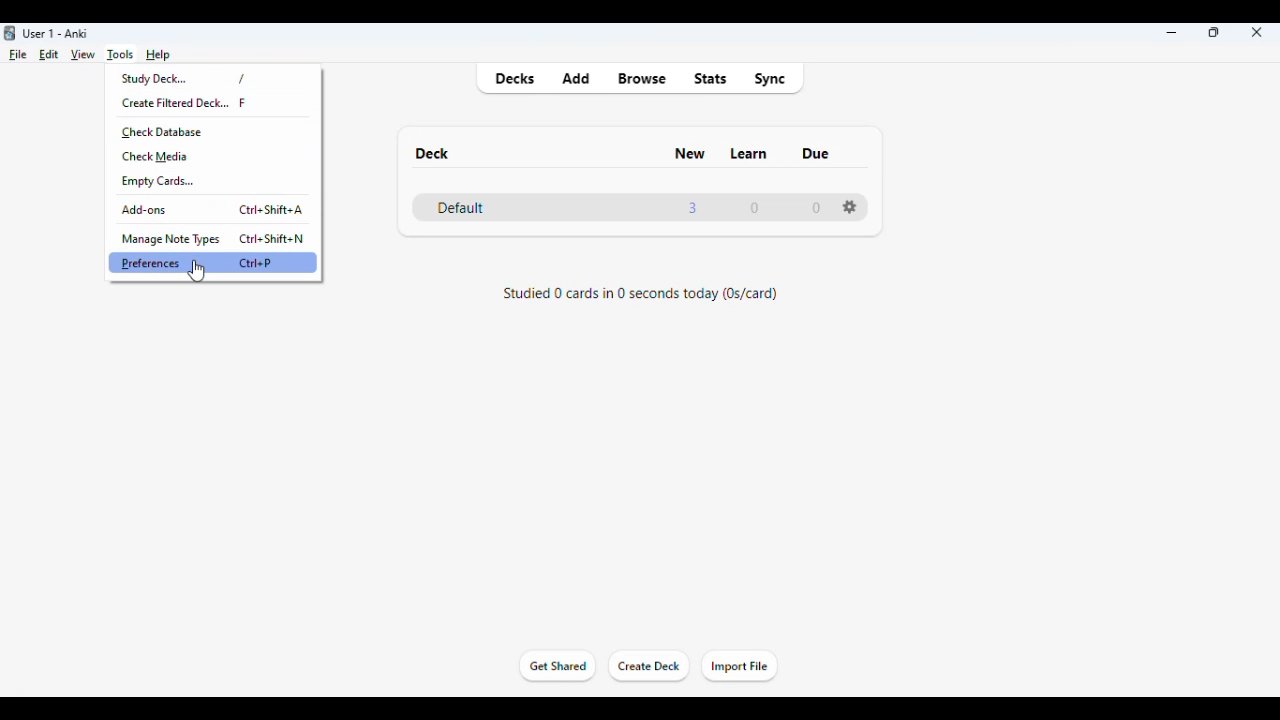 This screenshot has height=720, width=1280. I want to click on due, so click(816, 154).